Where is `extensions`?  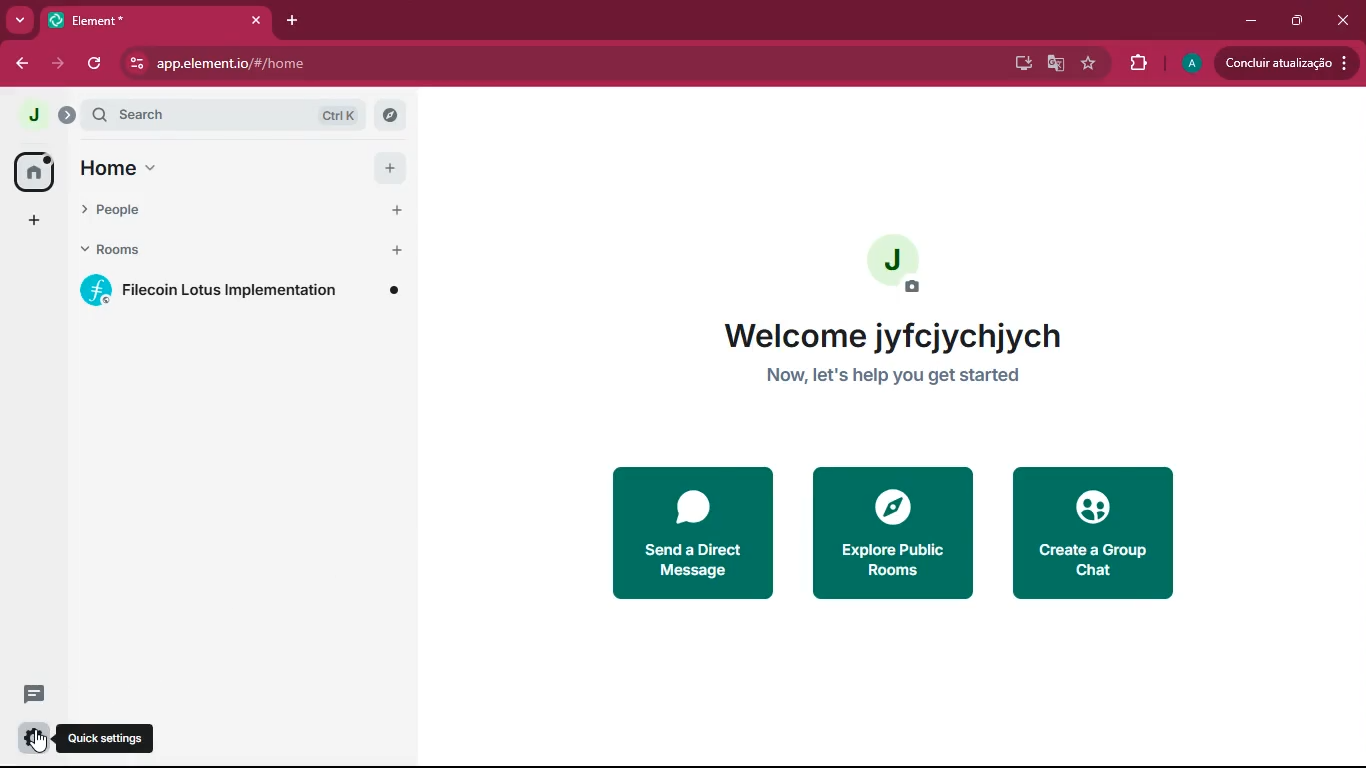 extensions is located at coordinates (1135, 64).